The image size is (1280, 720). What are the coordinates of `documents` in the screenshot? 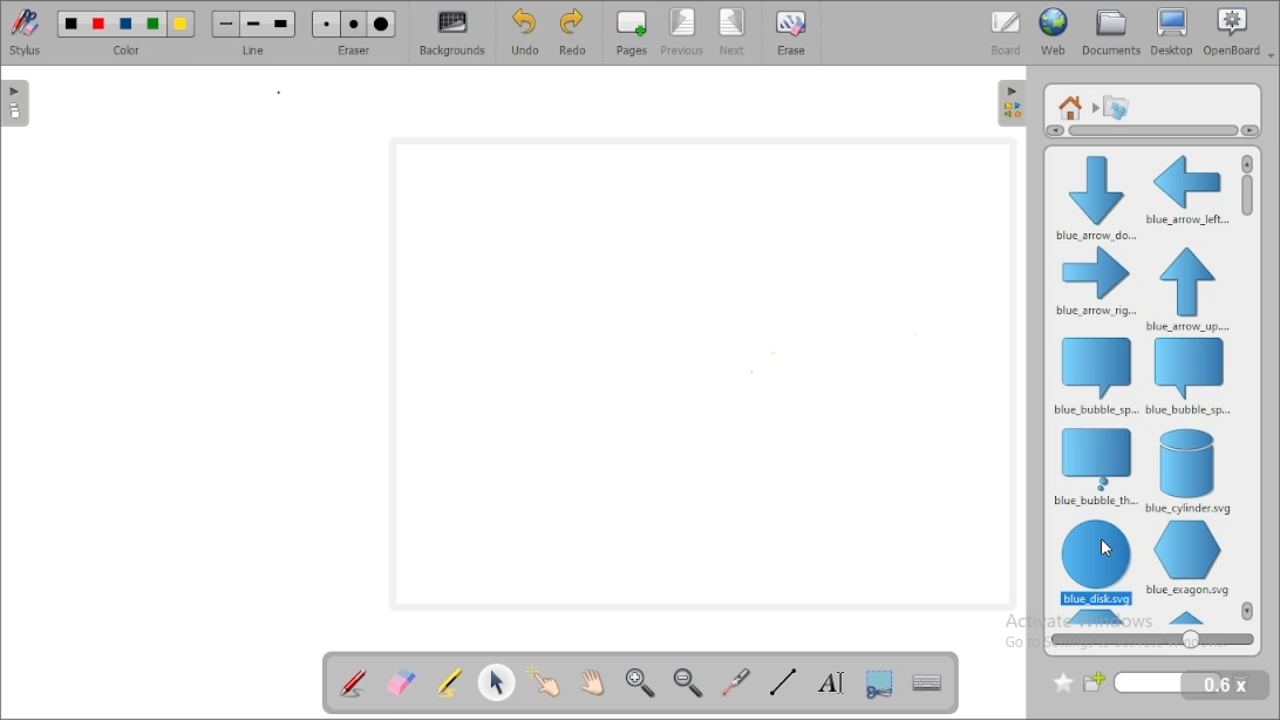 It's located at (1112, 32).